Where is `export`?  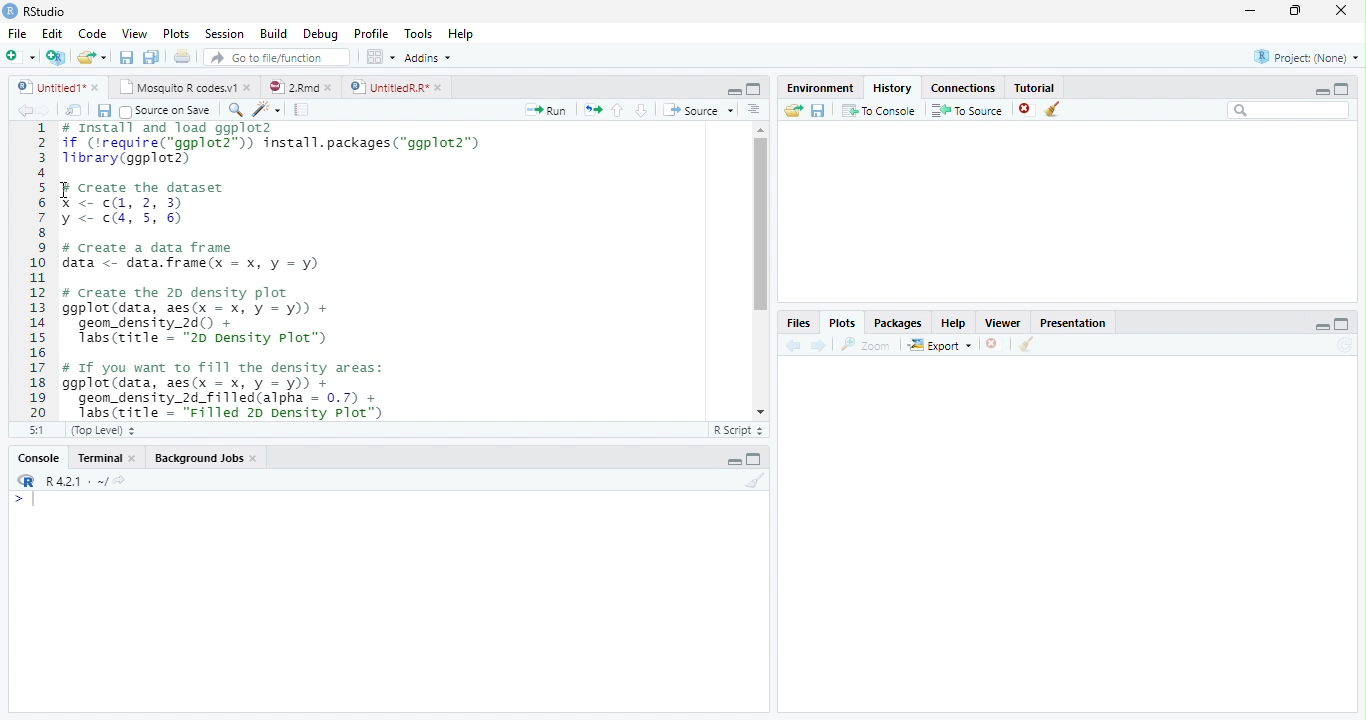
export is located at coordinates (939, 346).